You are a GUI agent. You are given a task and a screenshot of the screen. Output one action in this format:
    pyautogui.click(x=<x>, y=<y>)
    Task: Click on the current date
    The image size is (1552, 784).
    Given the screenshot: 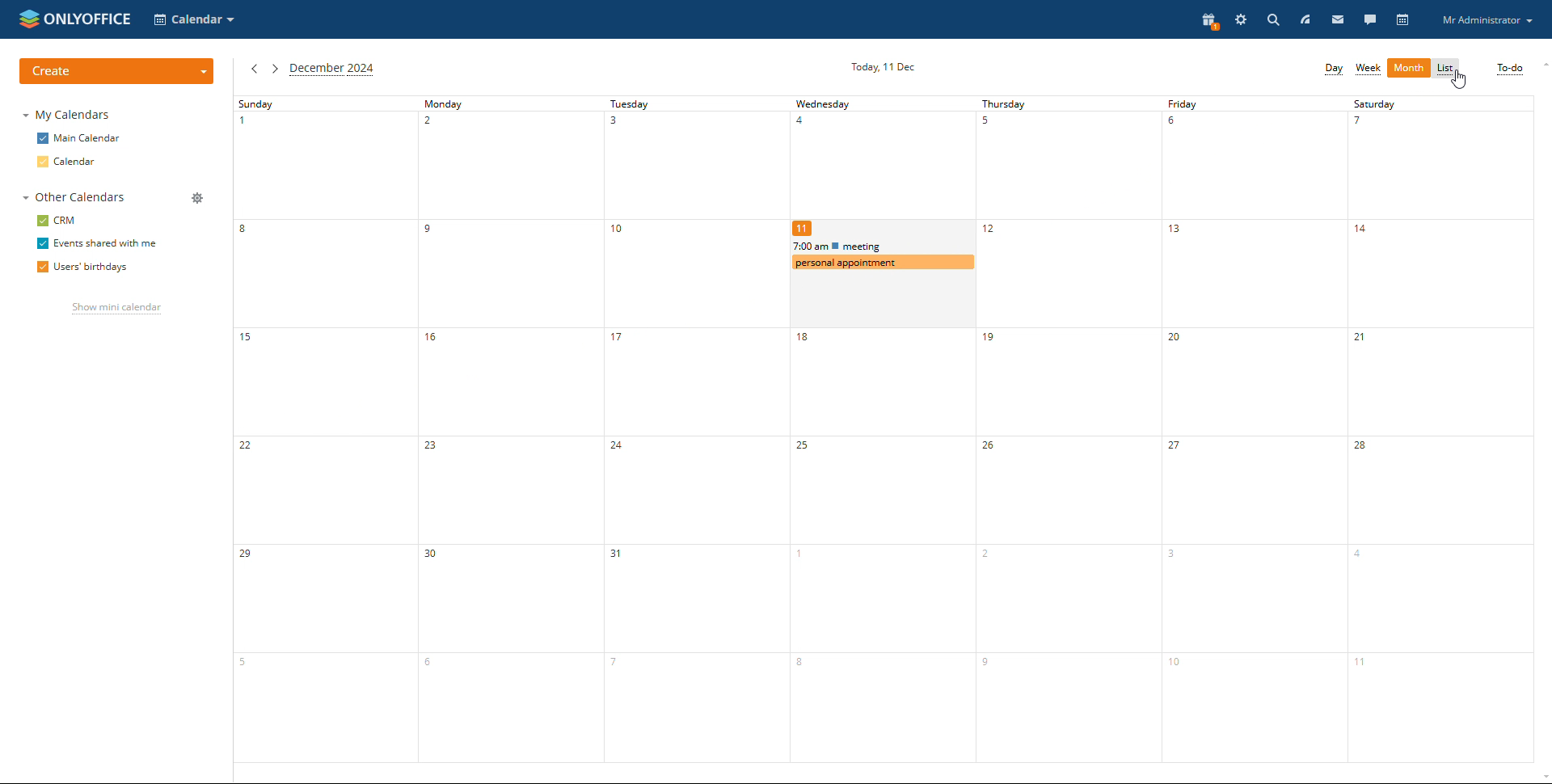 What is the action you would take?
    pyautogui.click(x=882, y=67)
    